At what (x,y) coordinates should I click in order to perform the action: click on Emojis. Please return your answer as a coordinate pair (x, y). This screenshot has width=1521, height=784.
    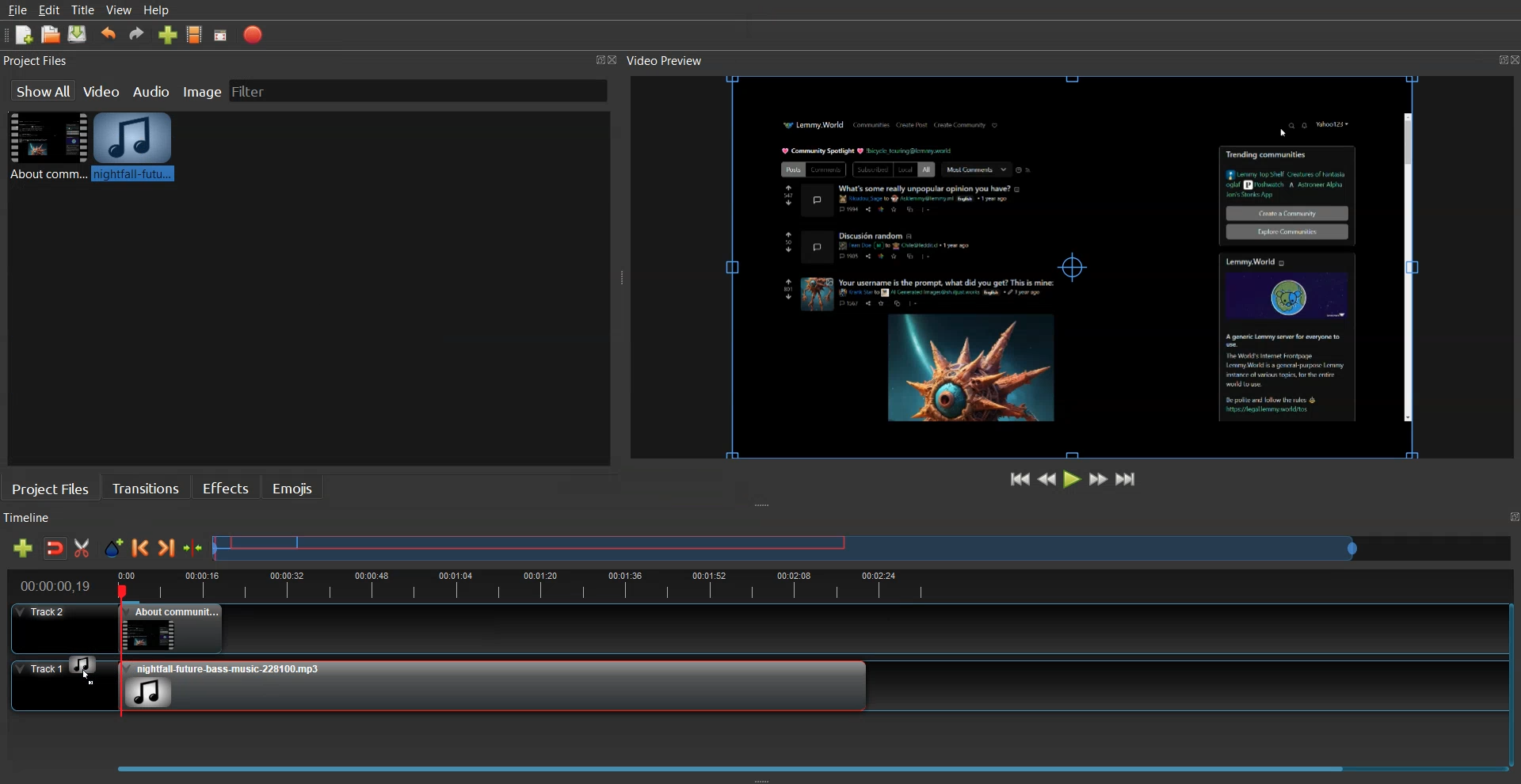
    Looking at the image, I should click on (294, 487).